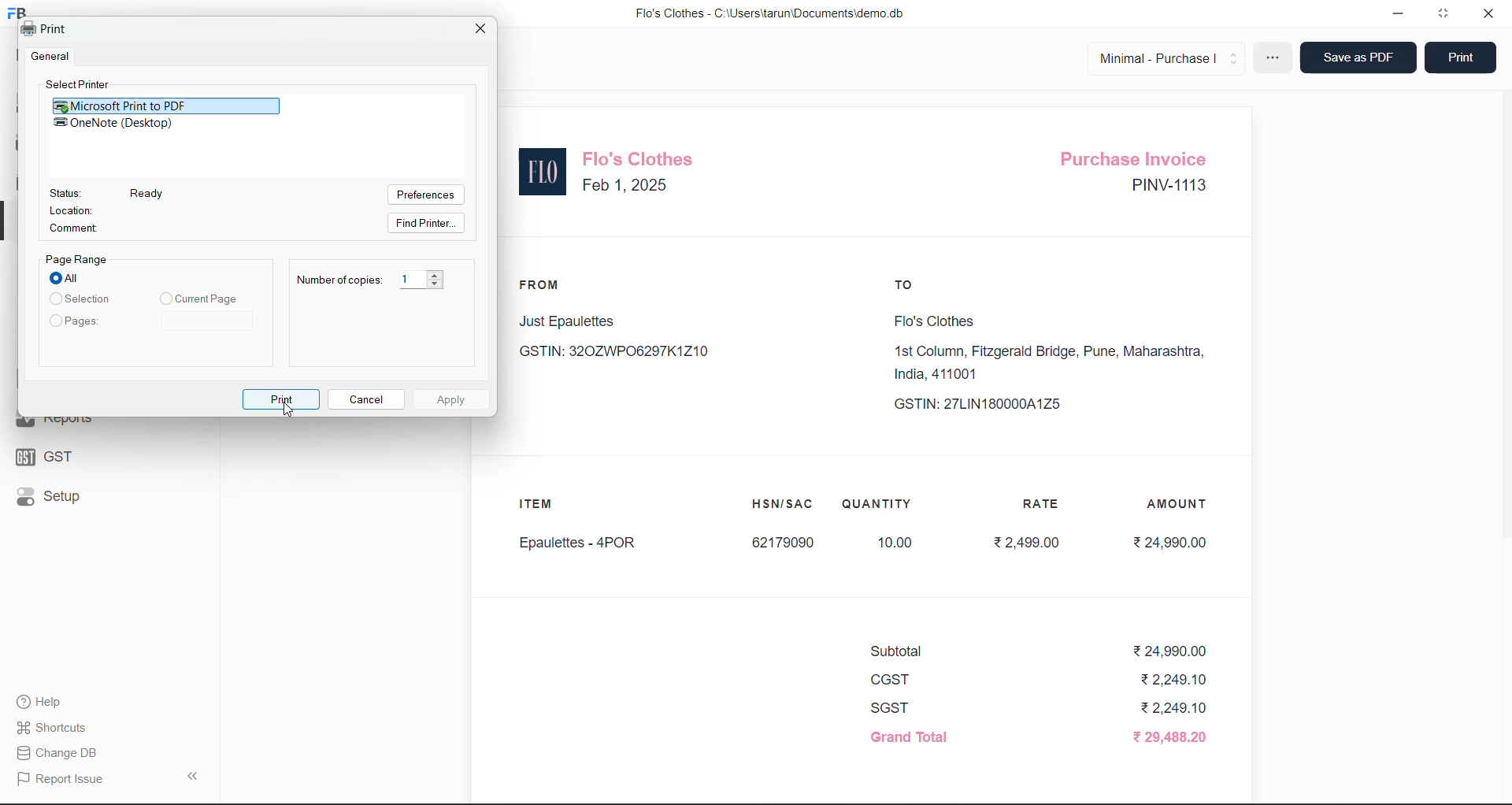  What do you see at coordinates (1031, 543) in the screenshot?
I see `₹2,499.00` at bounding box center [1031, 543].